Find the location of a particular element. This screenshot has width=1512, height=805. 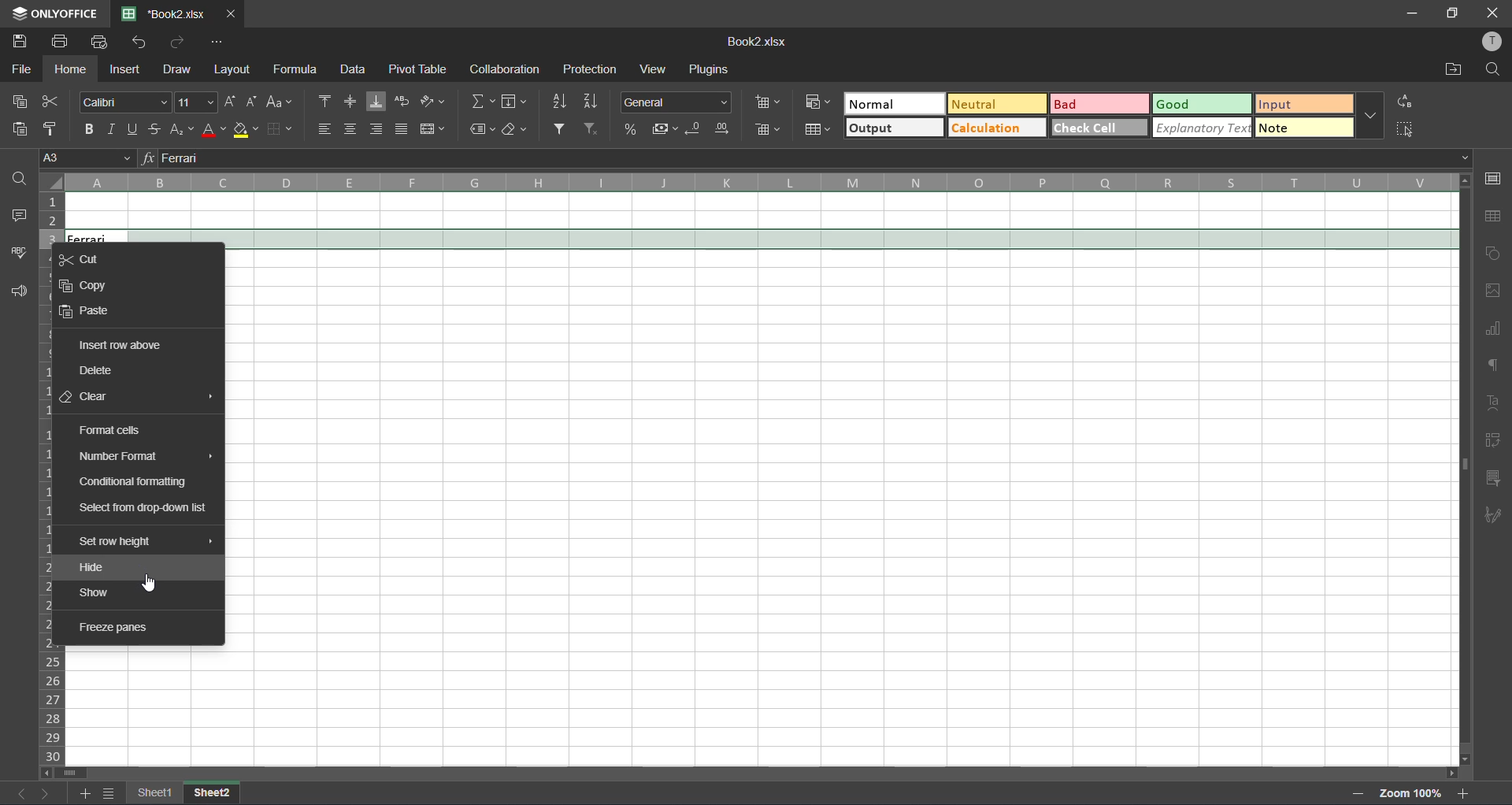

feedback is located at coordinates (17, 292).